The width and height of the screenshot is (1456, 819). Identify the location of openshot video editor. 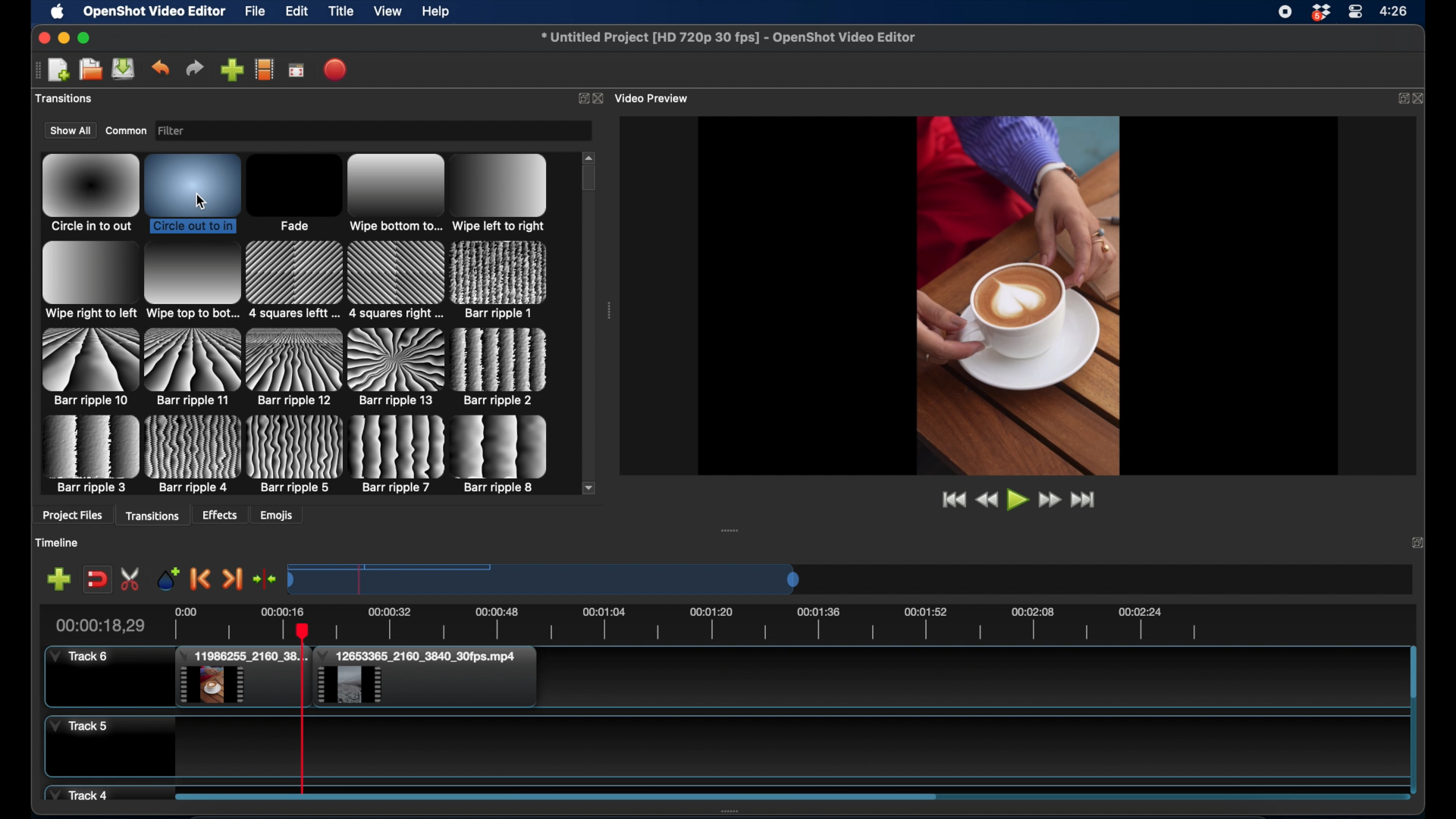
(155, 12).